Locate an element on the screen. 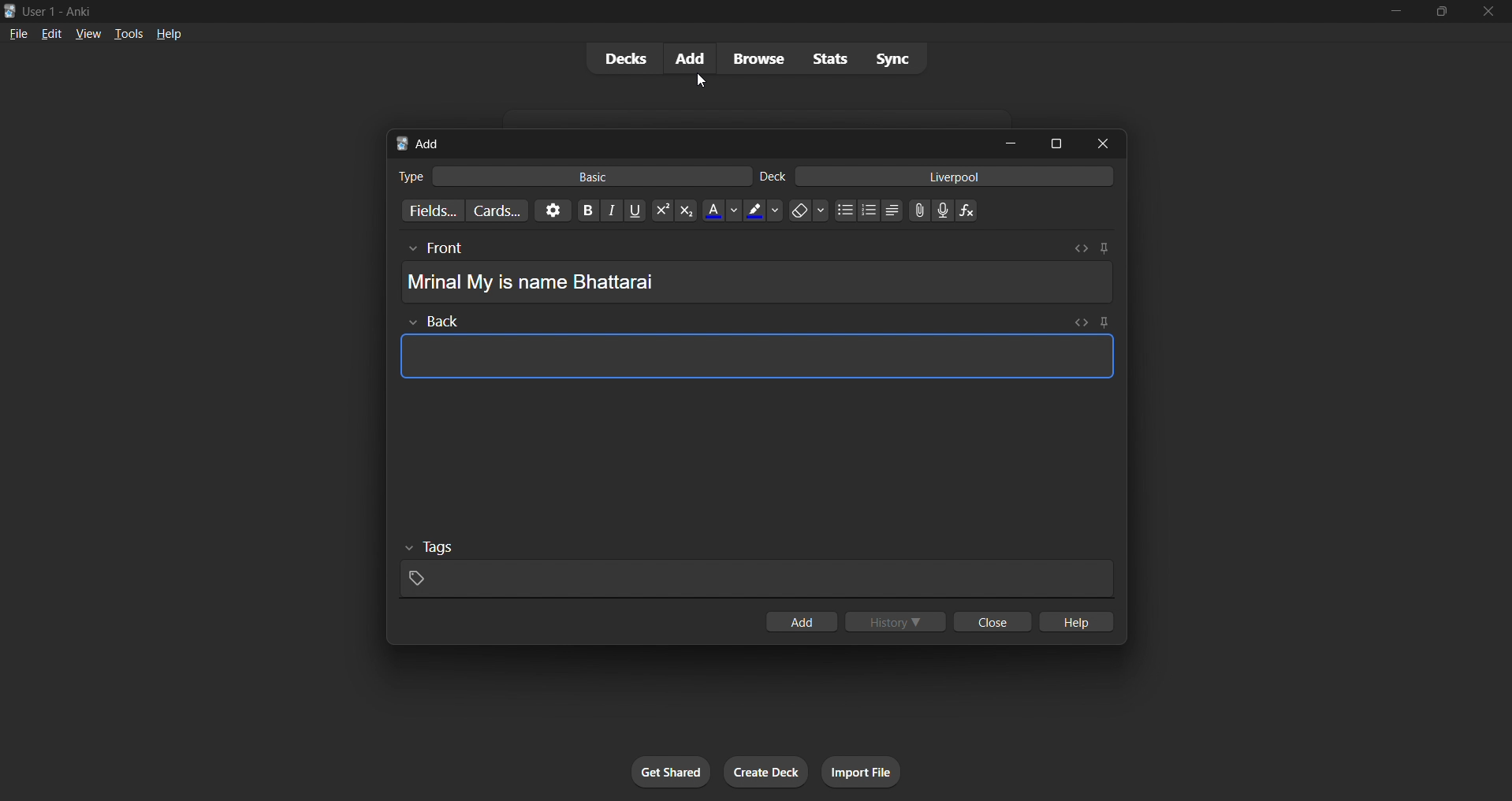 The image size is (1512, 801). sync is located at coordinates (888, 59).